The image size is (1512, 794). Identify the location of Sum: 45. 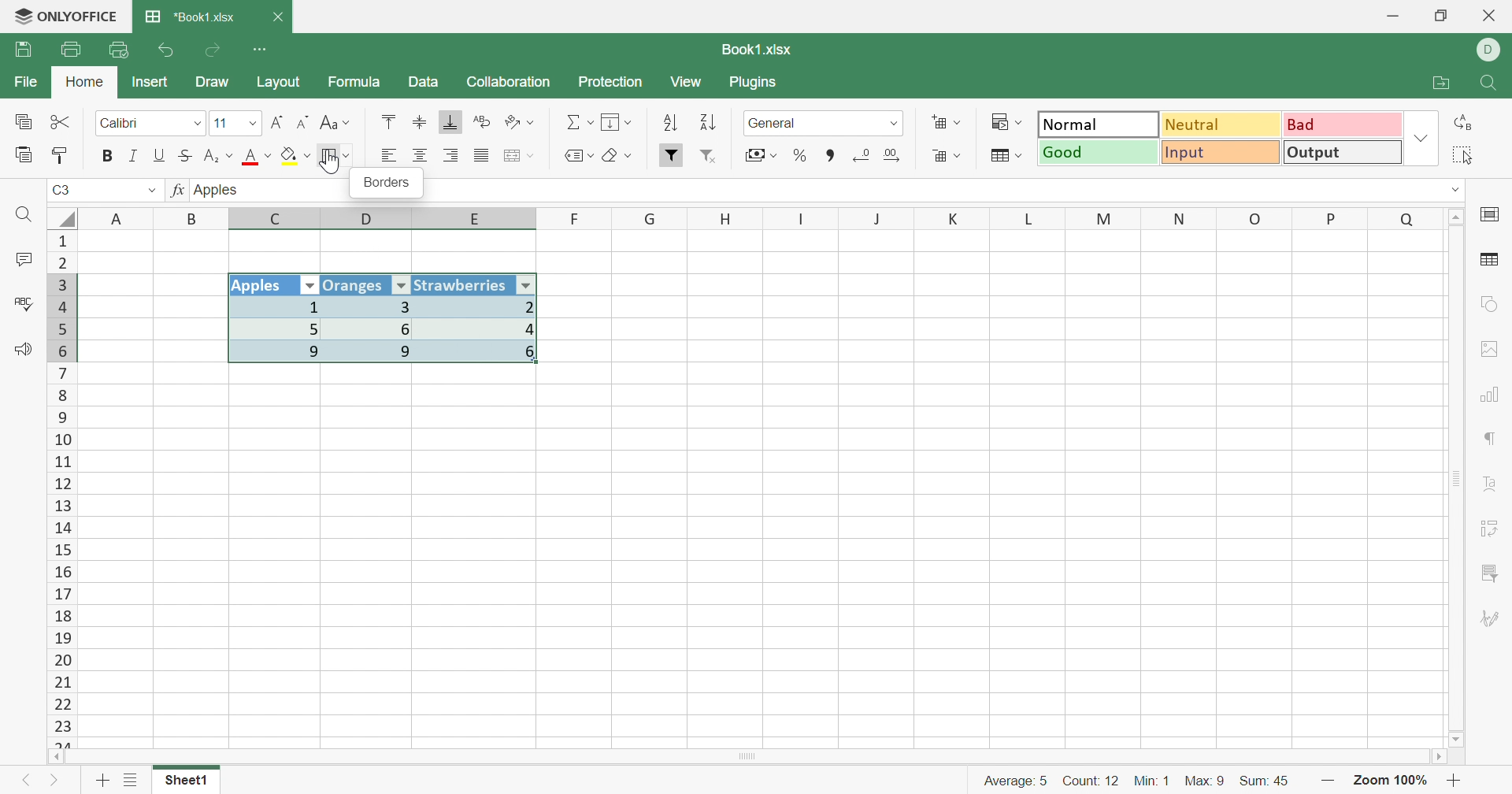
(1272, 779).